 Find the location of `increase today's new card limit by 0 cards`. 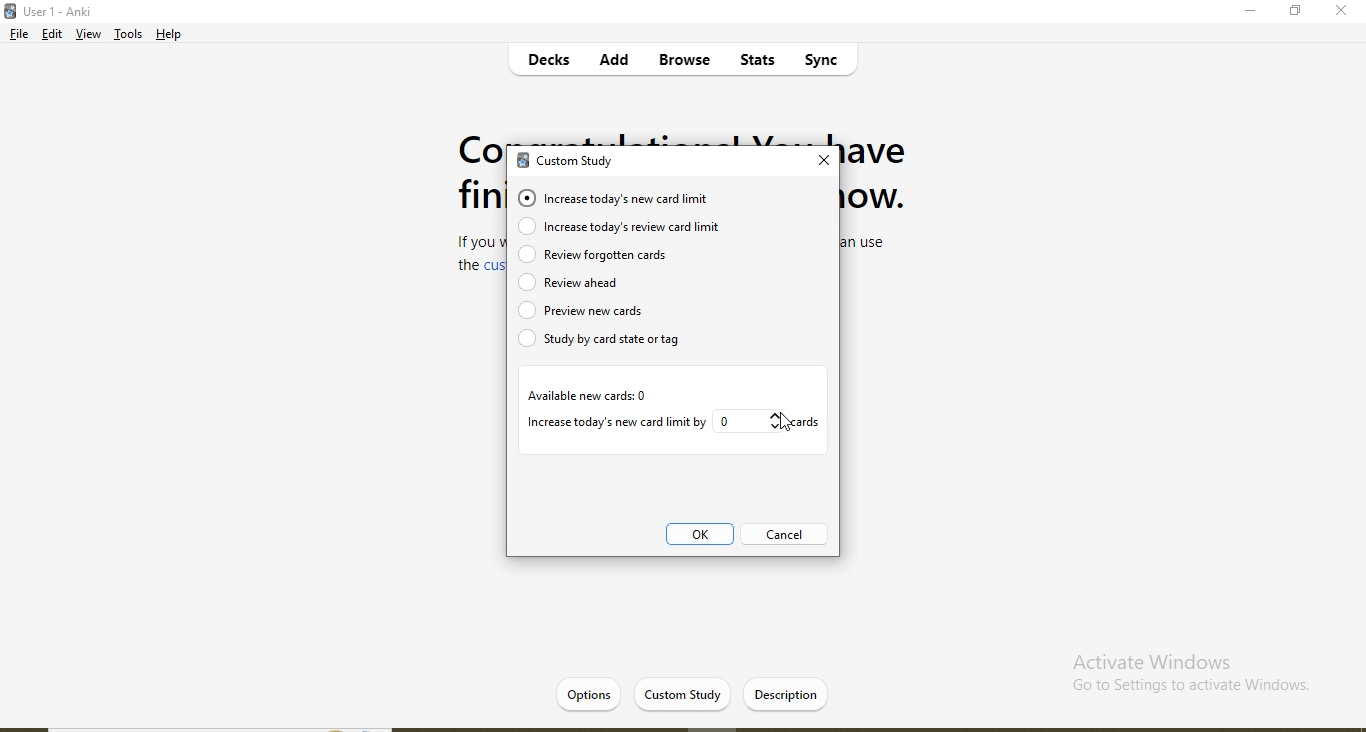

increase today's new card limit by 0 cards is located at coordinates (672, 421).